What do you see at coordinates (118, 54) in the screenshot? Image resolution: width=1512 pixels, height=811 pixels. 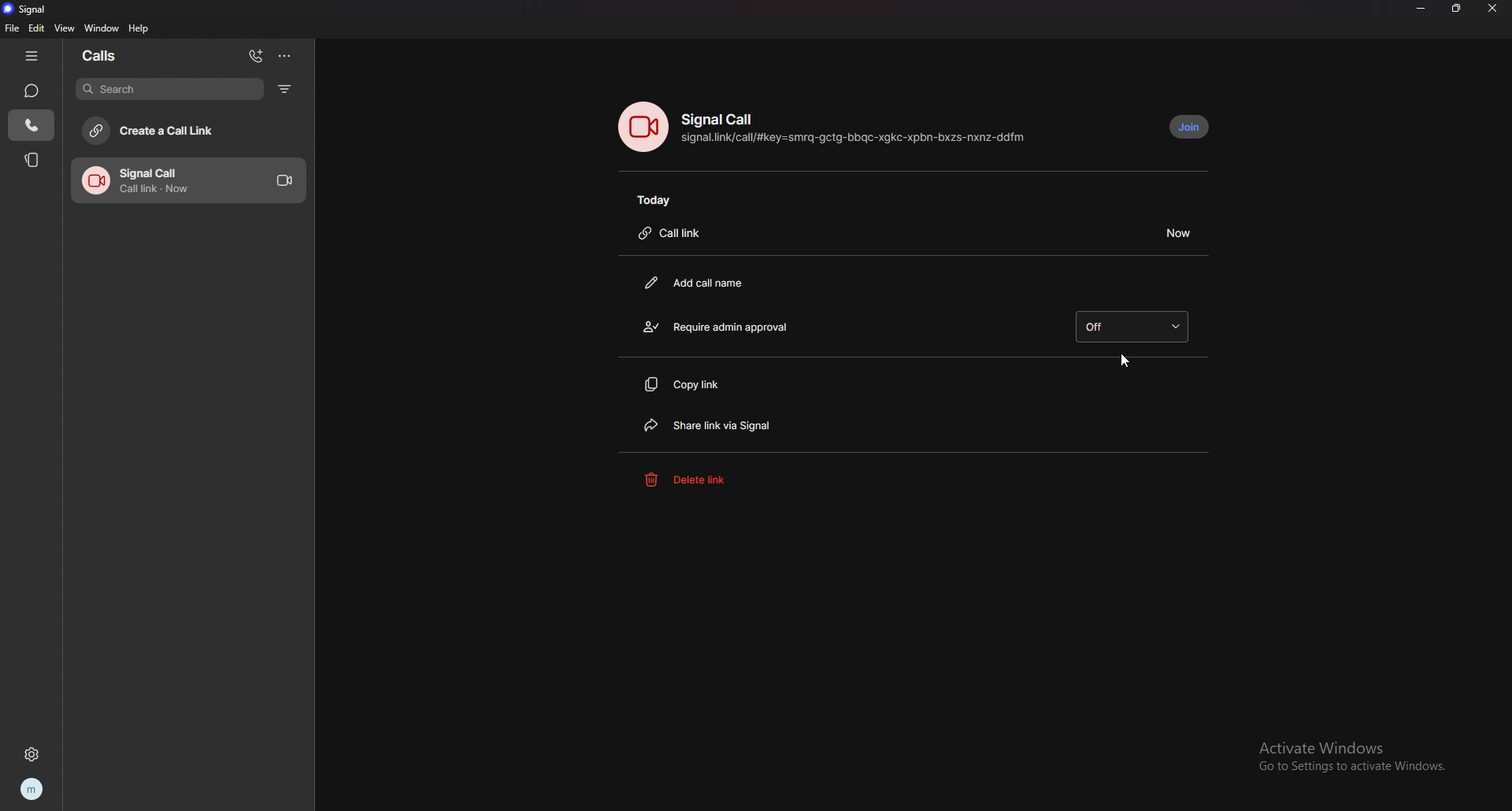 I see `calls` at bounding box center [118, 54].